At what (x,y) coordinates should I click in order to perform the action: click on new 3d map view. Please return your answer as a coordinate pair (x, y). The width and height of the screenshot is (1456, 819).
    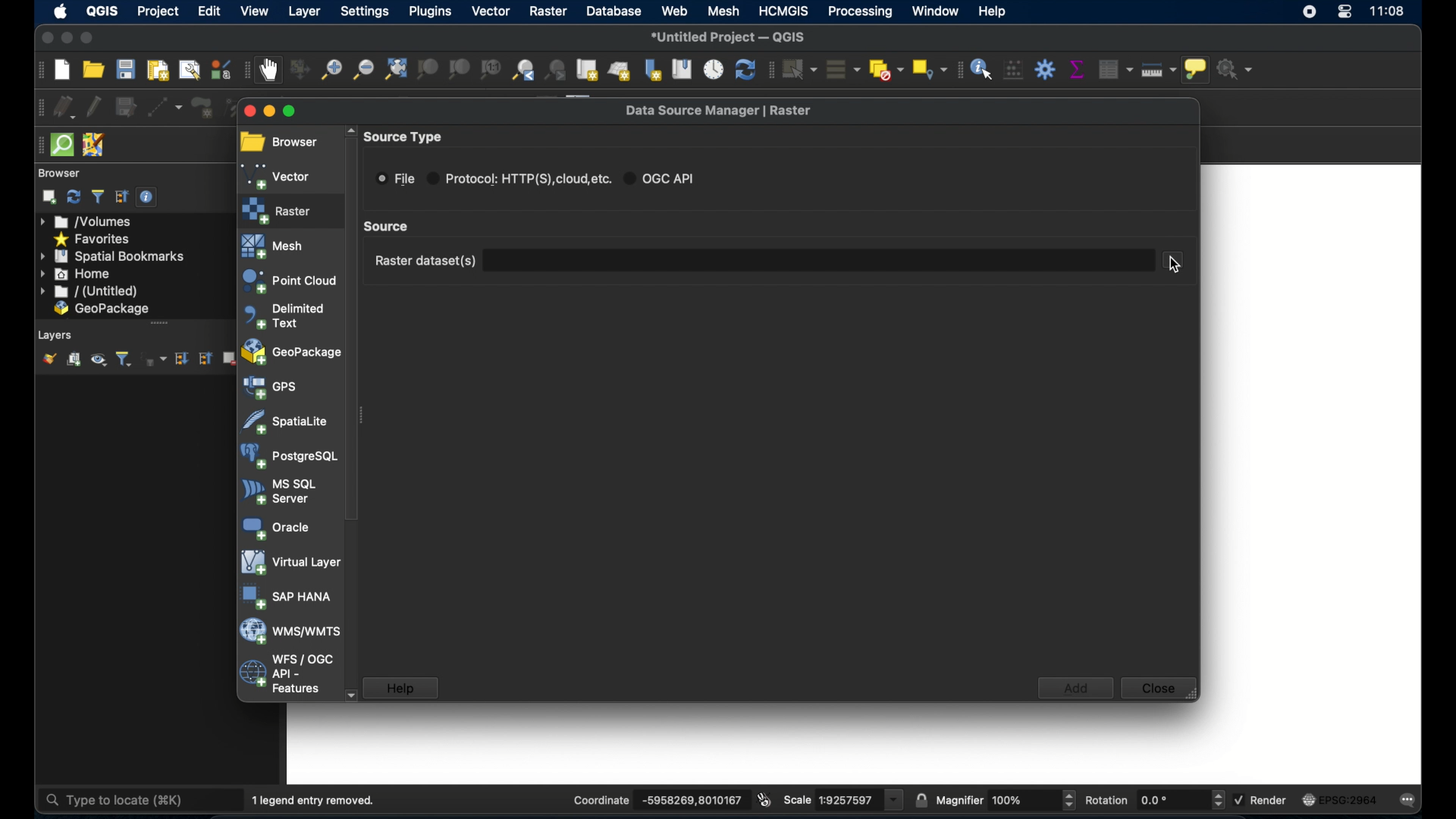
    Looking at the image, I should click on (620, 72).